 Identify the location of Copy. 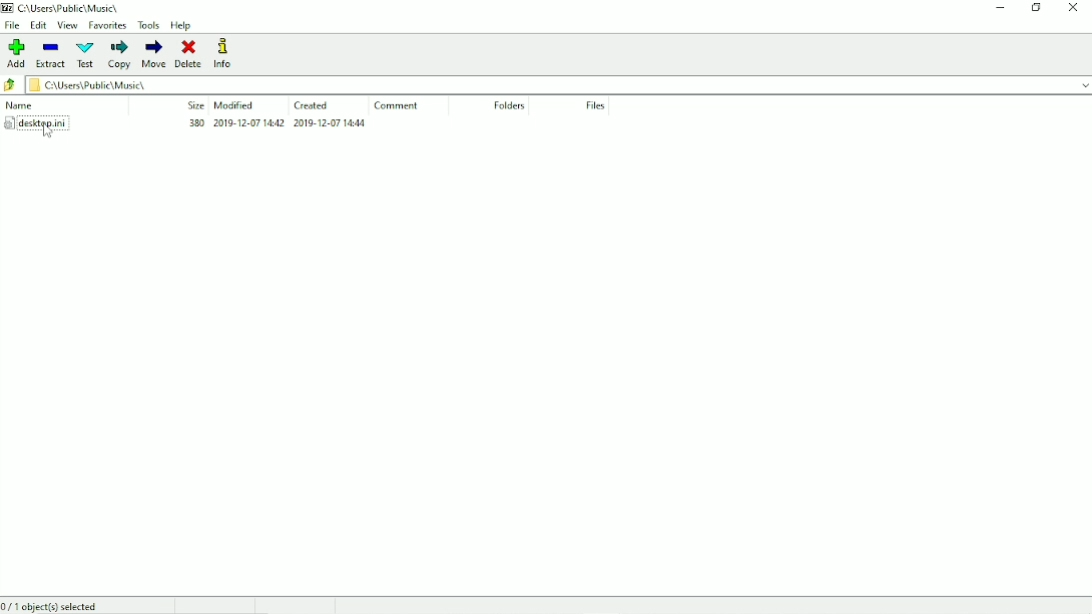
(120, 54).